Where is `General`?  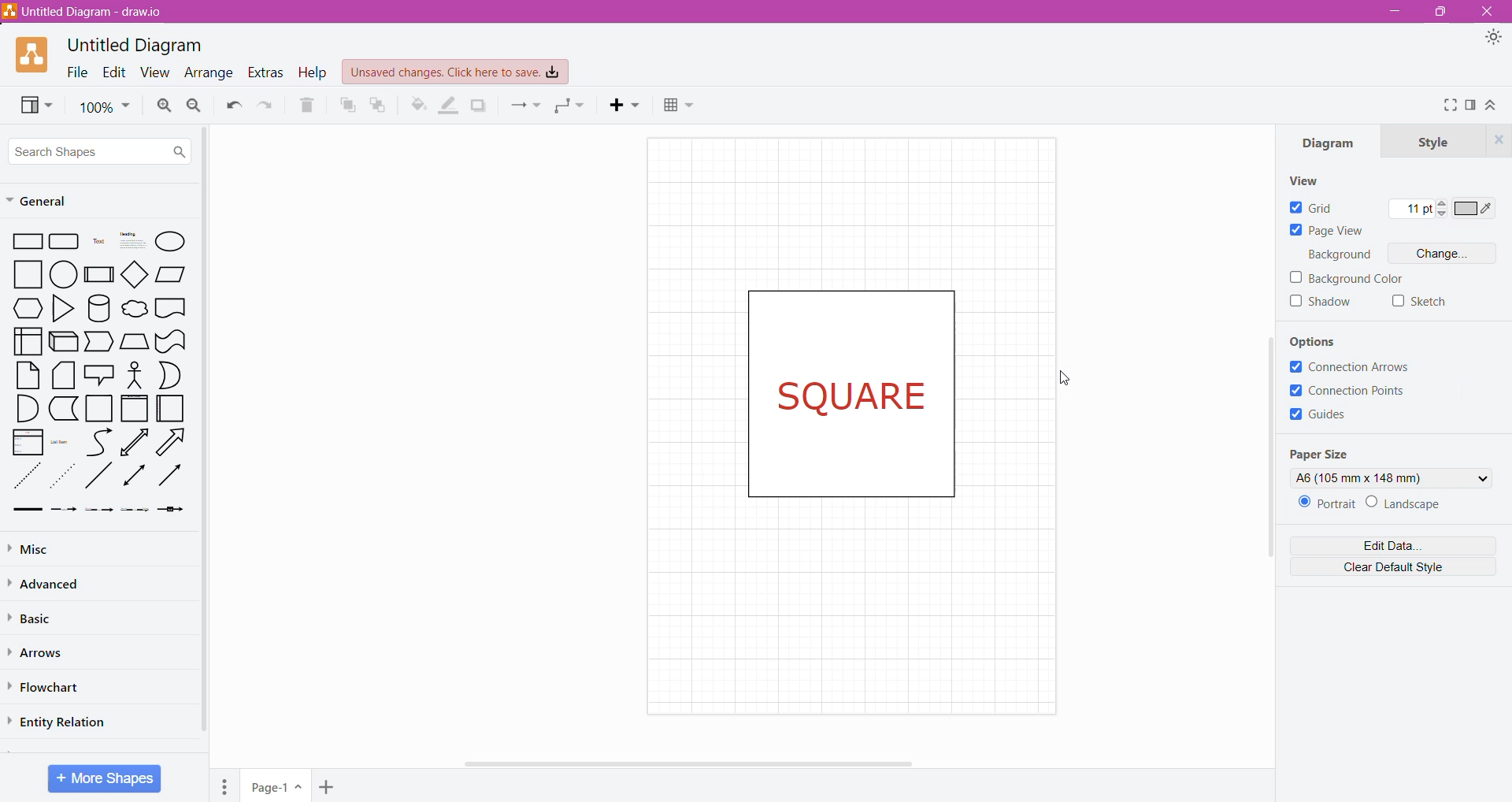
General is located at coordinates (45, 202).